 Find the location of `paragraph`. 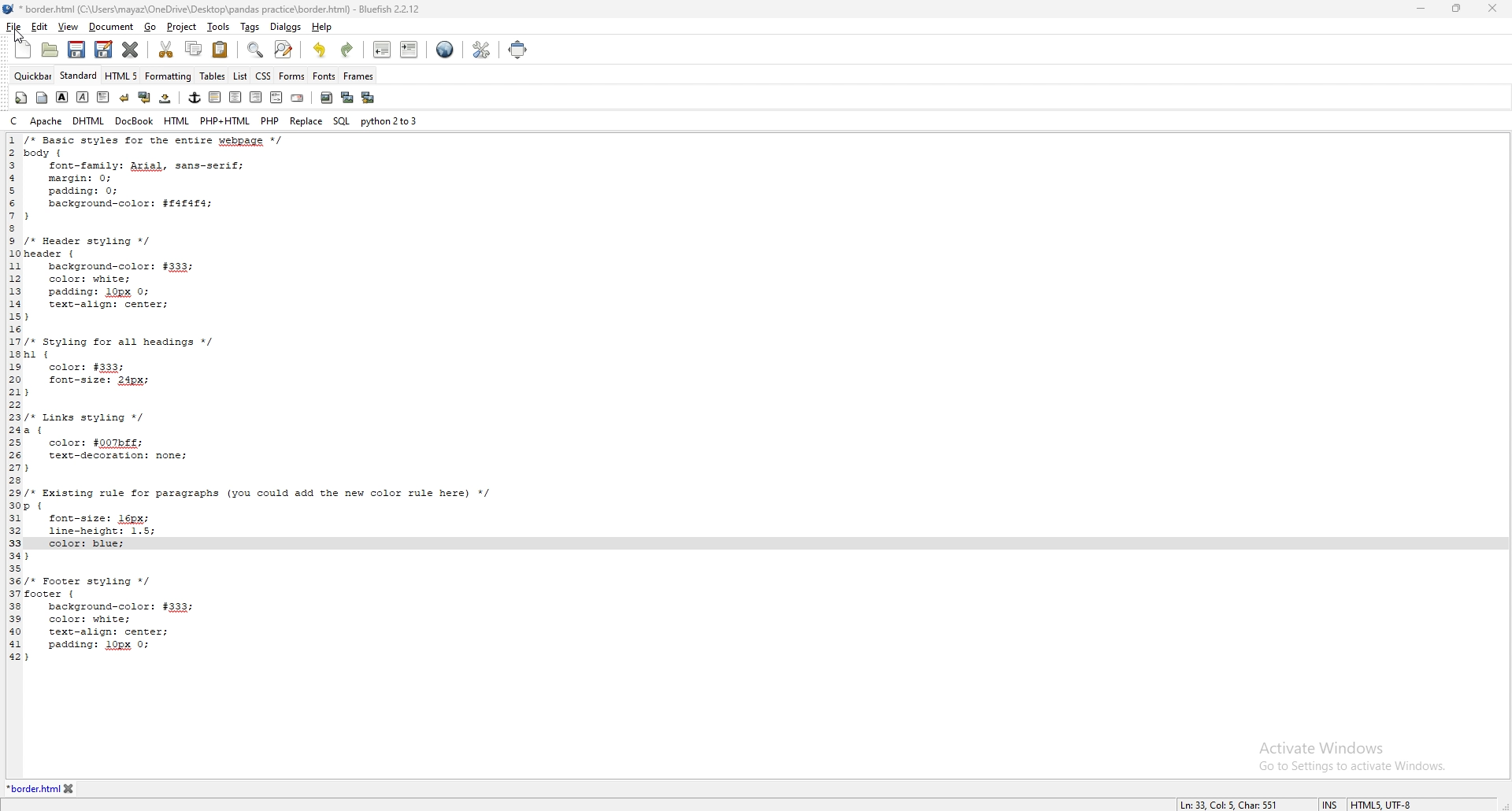

paragraph is located at coordinates (103, 98).